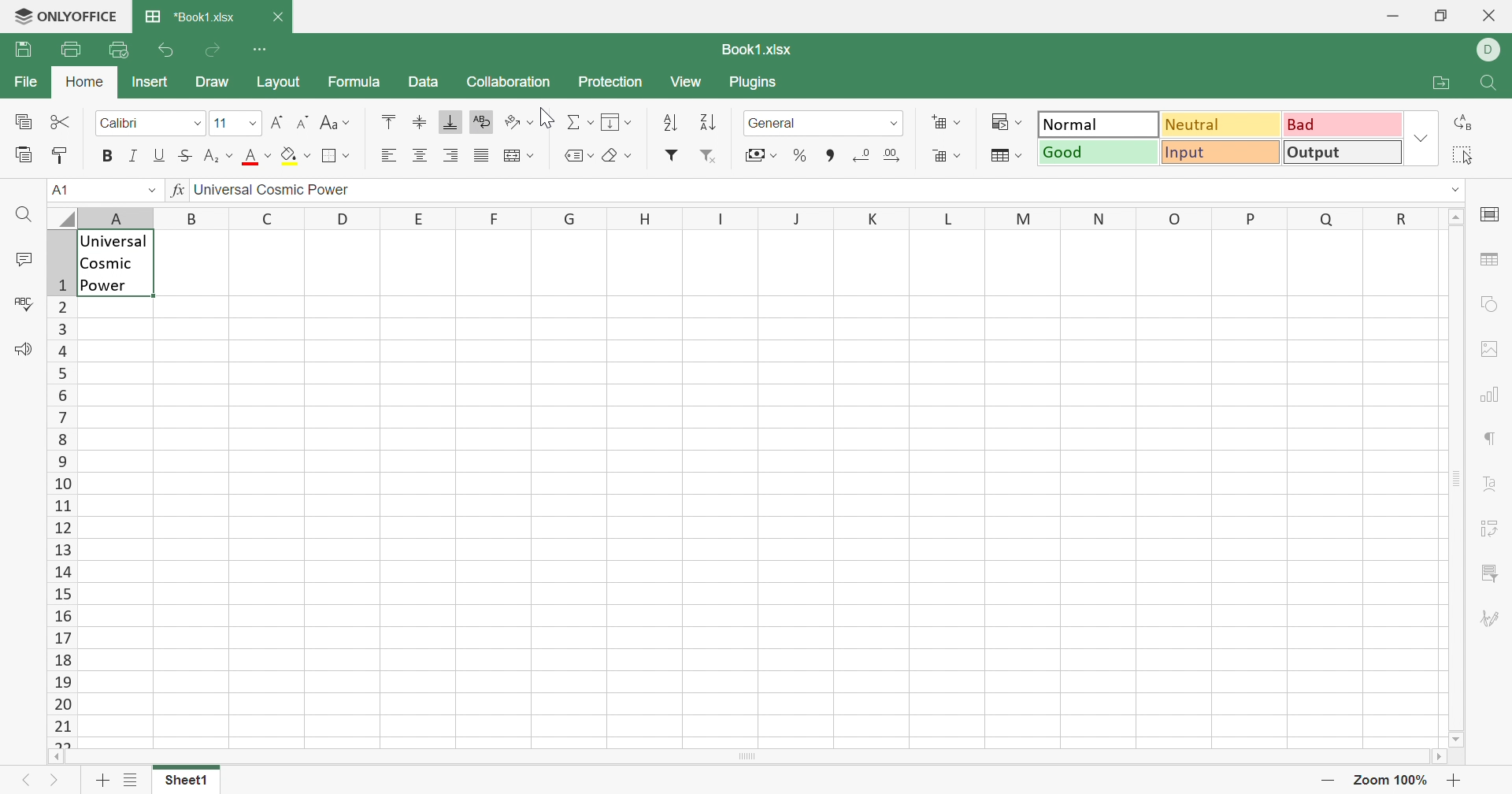 The height and width of the screenshot is (794, 1512). What do you see at coordinates (69, 50) in the screenshot?
I see `Print` at bounding box center [69, 50].